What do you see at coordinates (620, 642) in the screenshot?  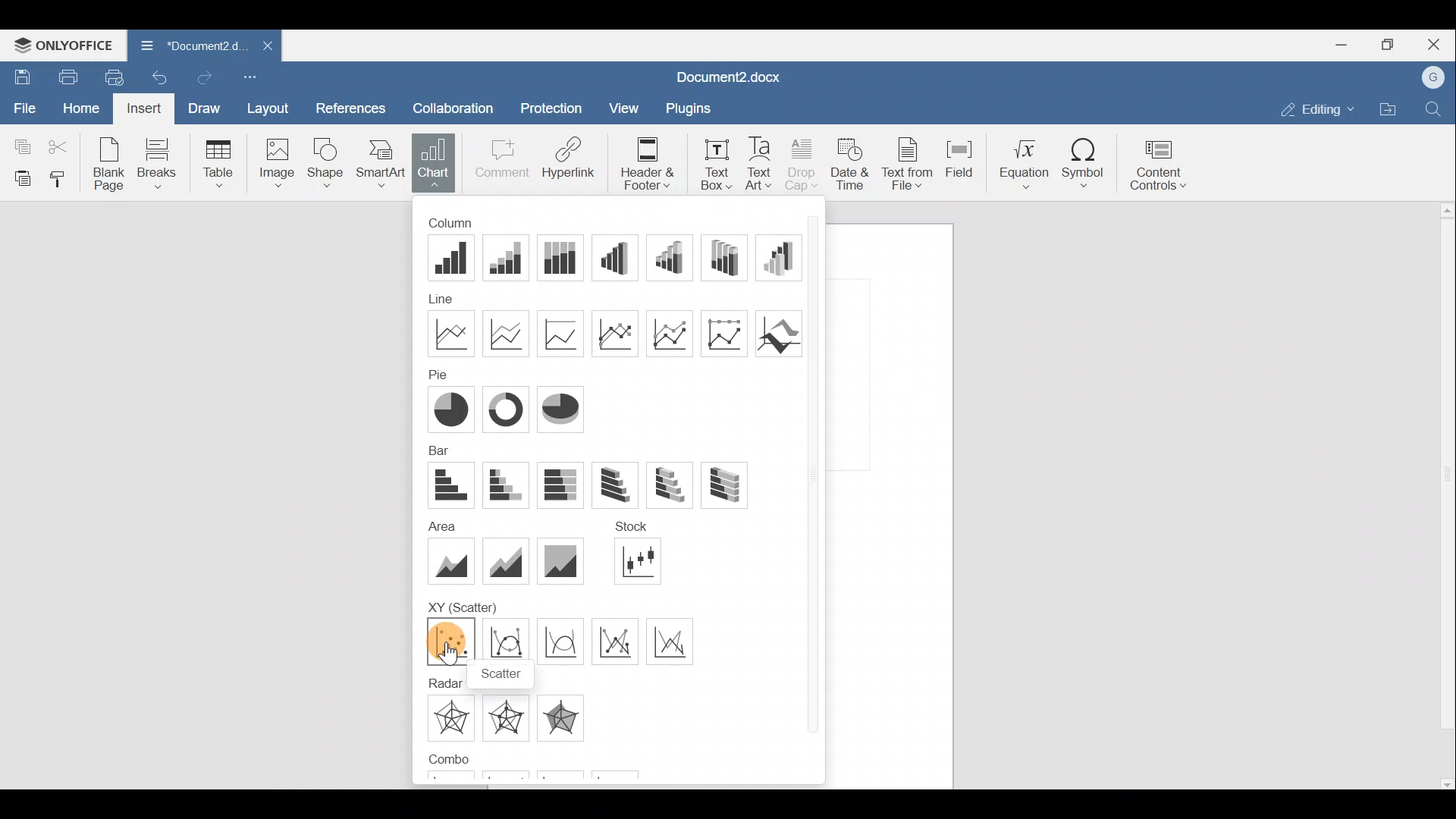 I see `Scatter with straight lines & markers` at bounding box center [620, 642].